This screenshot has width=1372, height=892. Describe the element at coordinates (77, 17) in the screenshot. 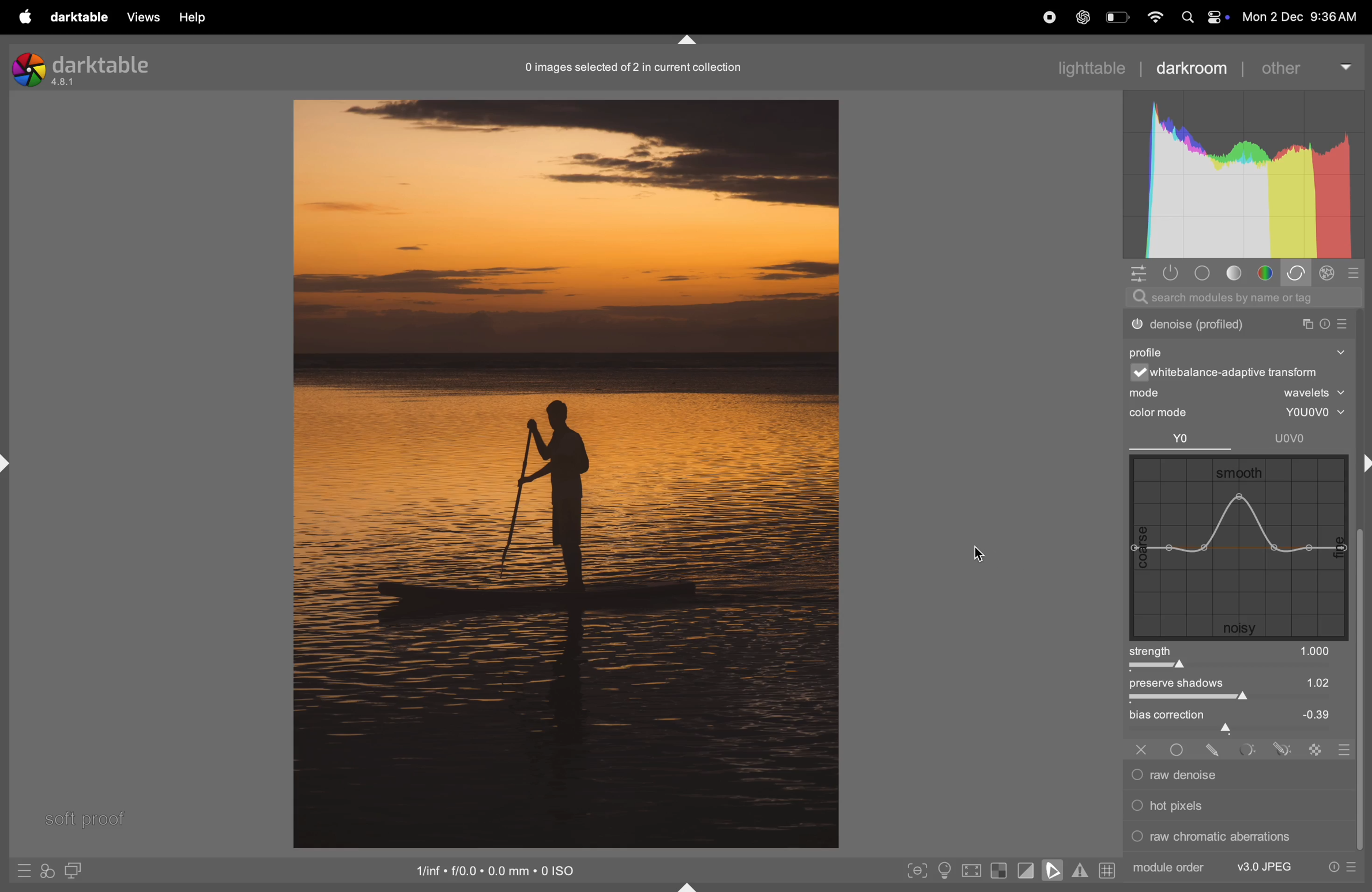

I see `darktable` at that location.